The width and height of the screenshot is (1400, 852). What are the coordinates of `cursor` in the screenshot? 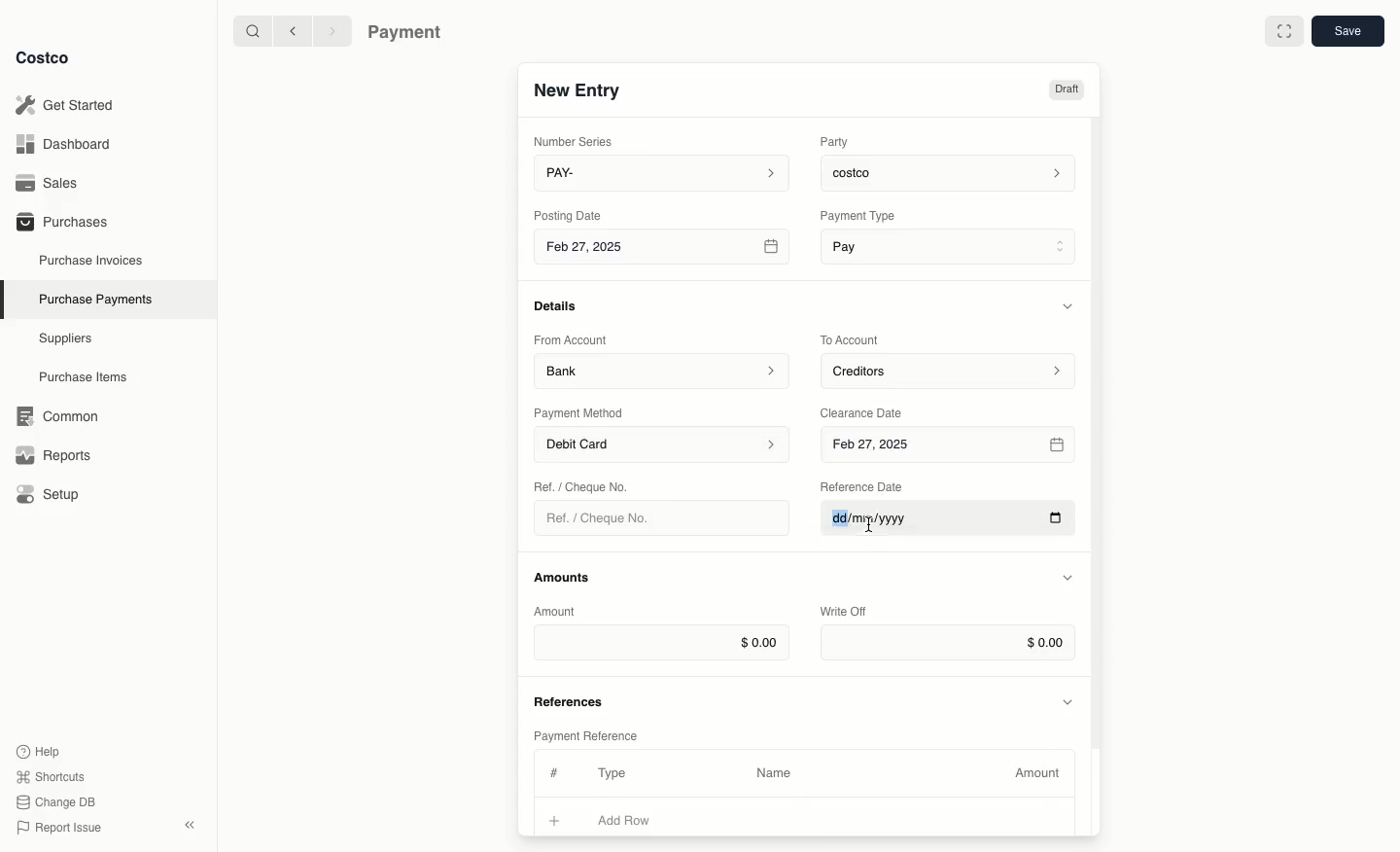 It's located at (869, 530).